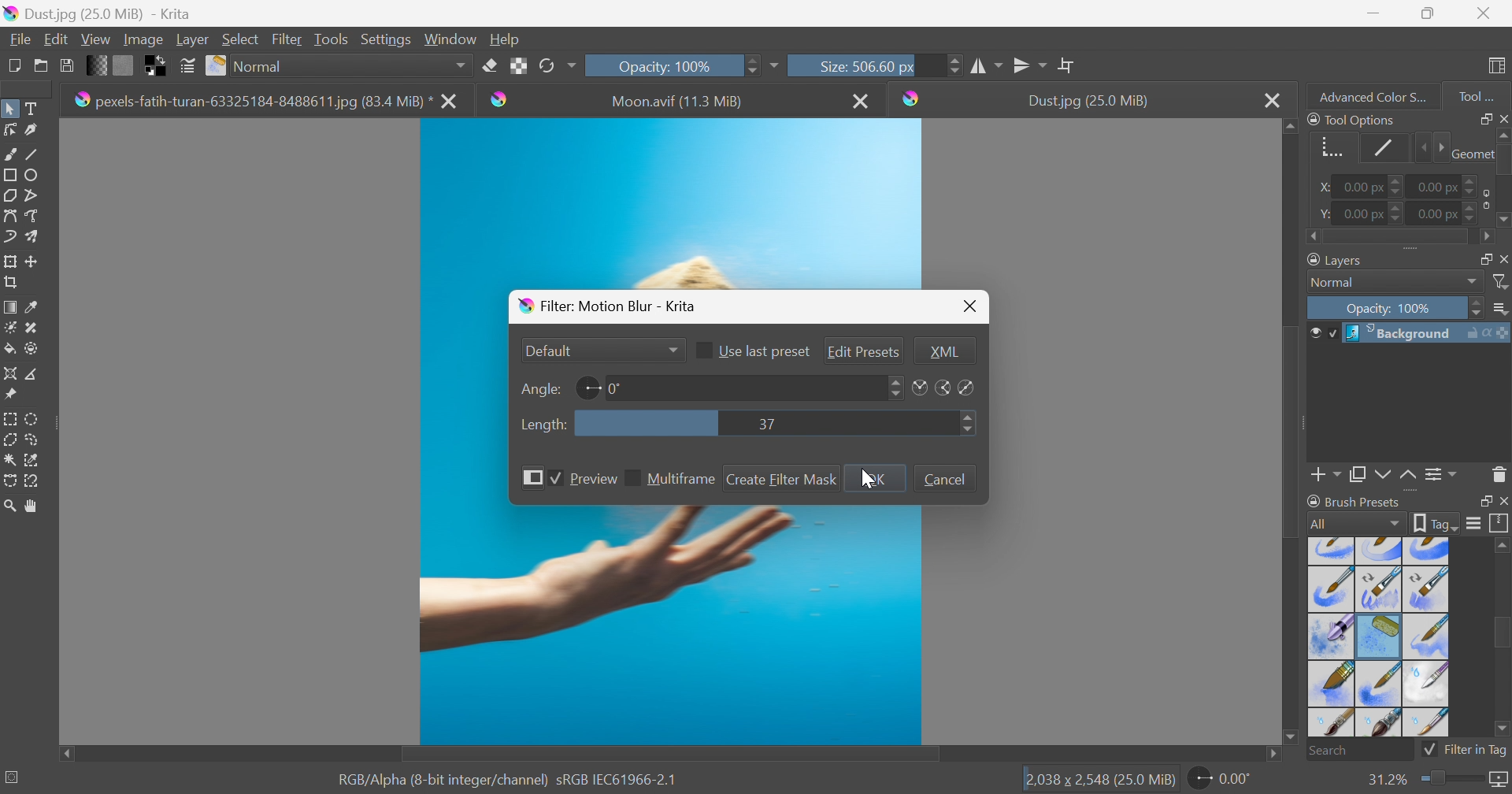 The height and width of the screenshot is (794, 1512). What do you see at coordinates (610, 305) in the screenshot?
I see `Filter: Motion Blur - Krita` at bounding box center [610, 305].